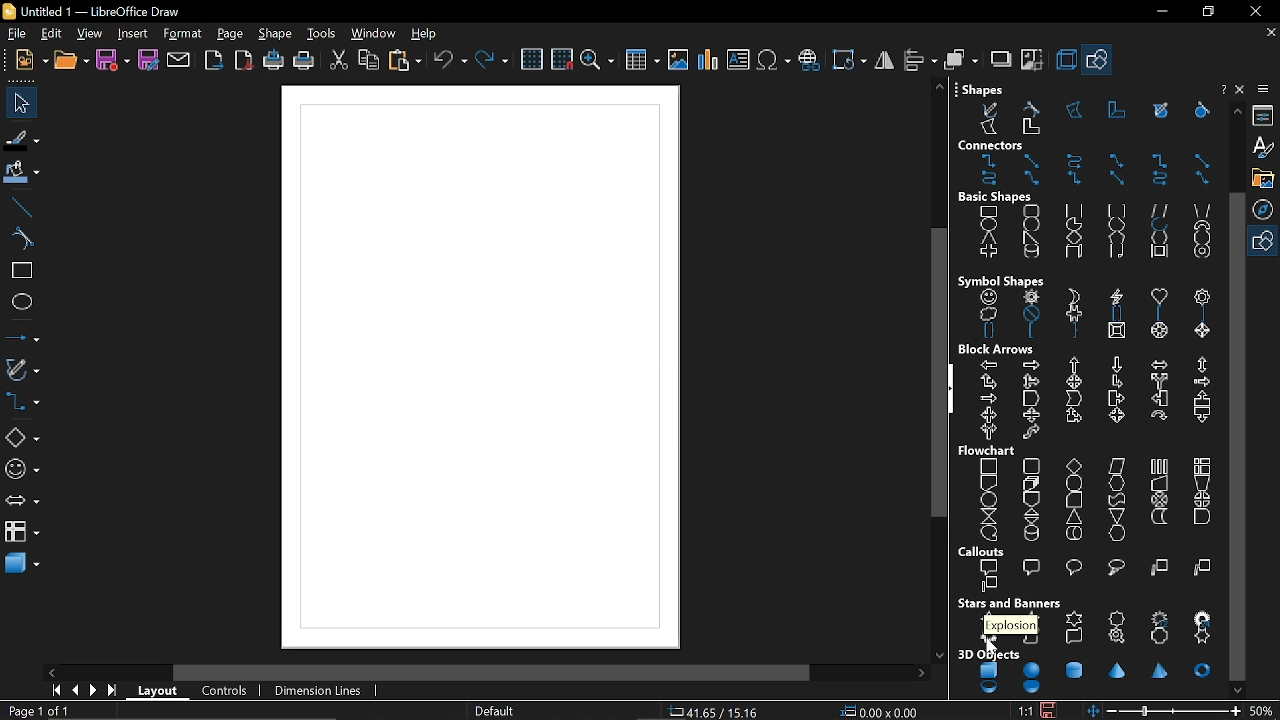 Image resolution: width=1280 pixels, height=720 pixels. I want to click on fill color, so click(20, 174).